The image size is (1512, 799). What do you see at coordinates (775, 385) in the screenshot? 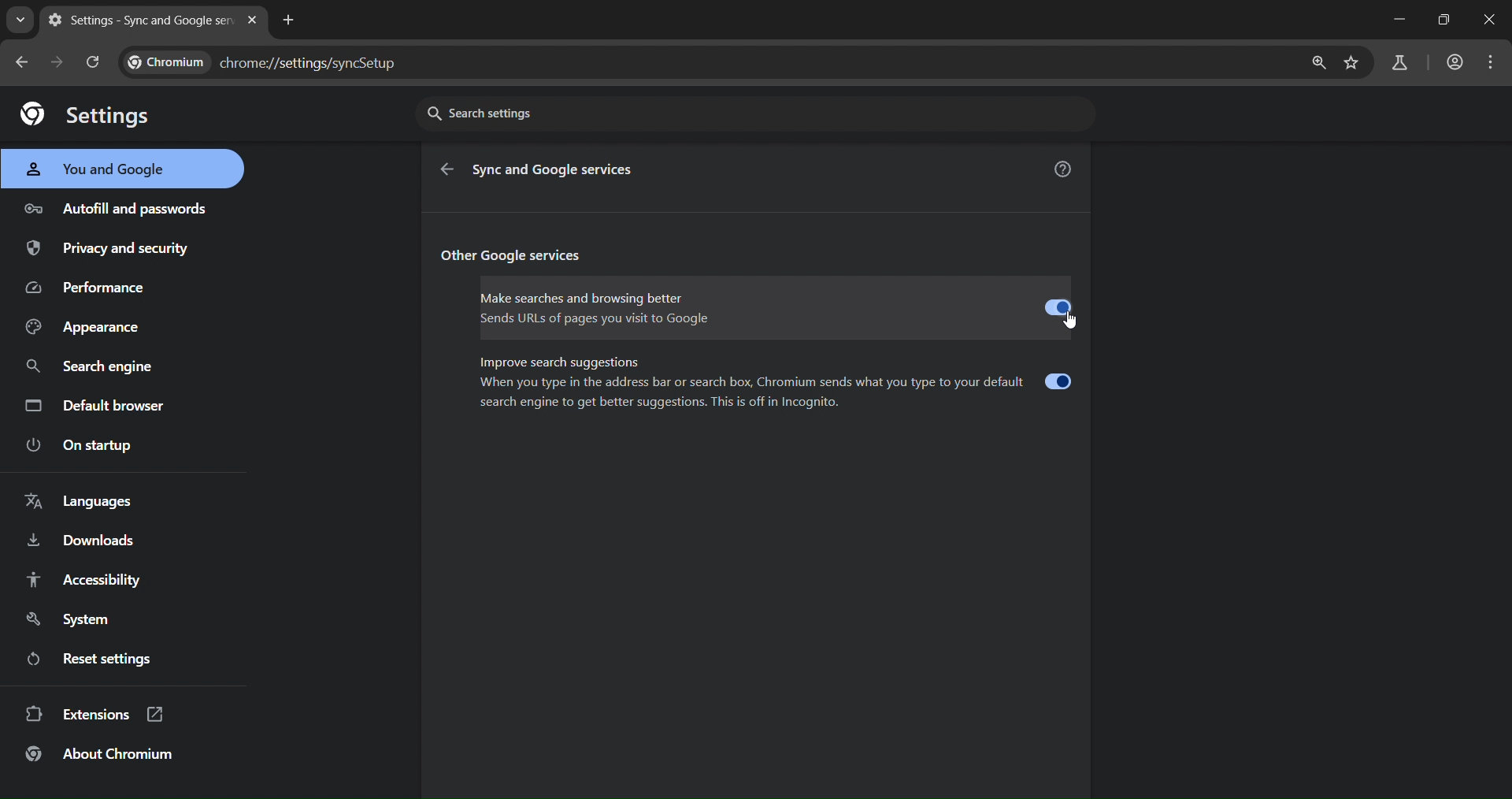
I see `Improve search suggestions
When you type in the address bar or search box, Chromium sends what you type to your default
search engine to get better suggestions. This is off in Incognito.` at bounding box center [775, 385].